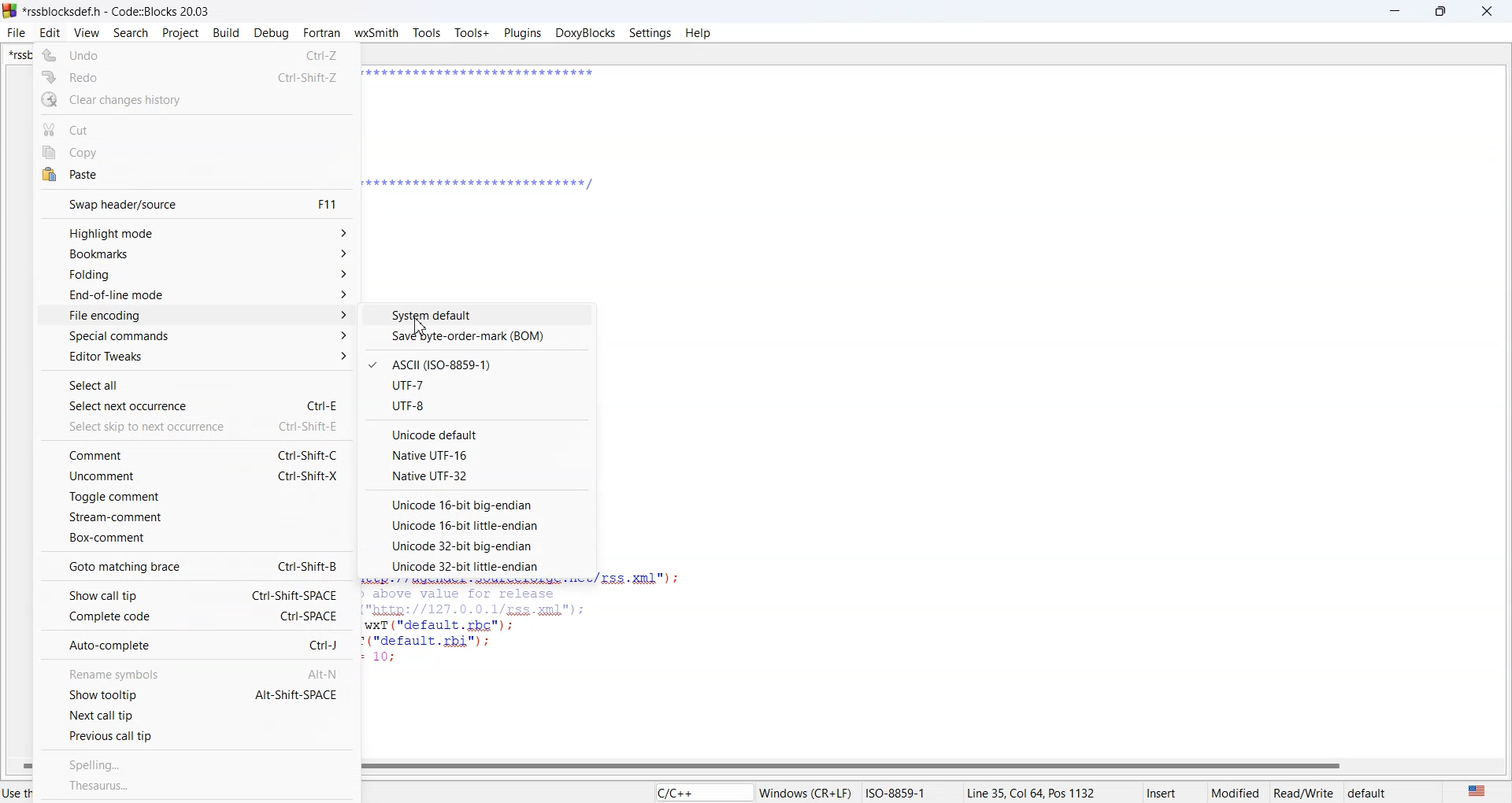  Describe the element at coordinates (271, 33) in the screenshot. I see `Debug` at that location.